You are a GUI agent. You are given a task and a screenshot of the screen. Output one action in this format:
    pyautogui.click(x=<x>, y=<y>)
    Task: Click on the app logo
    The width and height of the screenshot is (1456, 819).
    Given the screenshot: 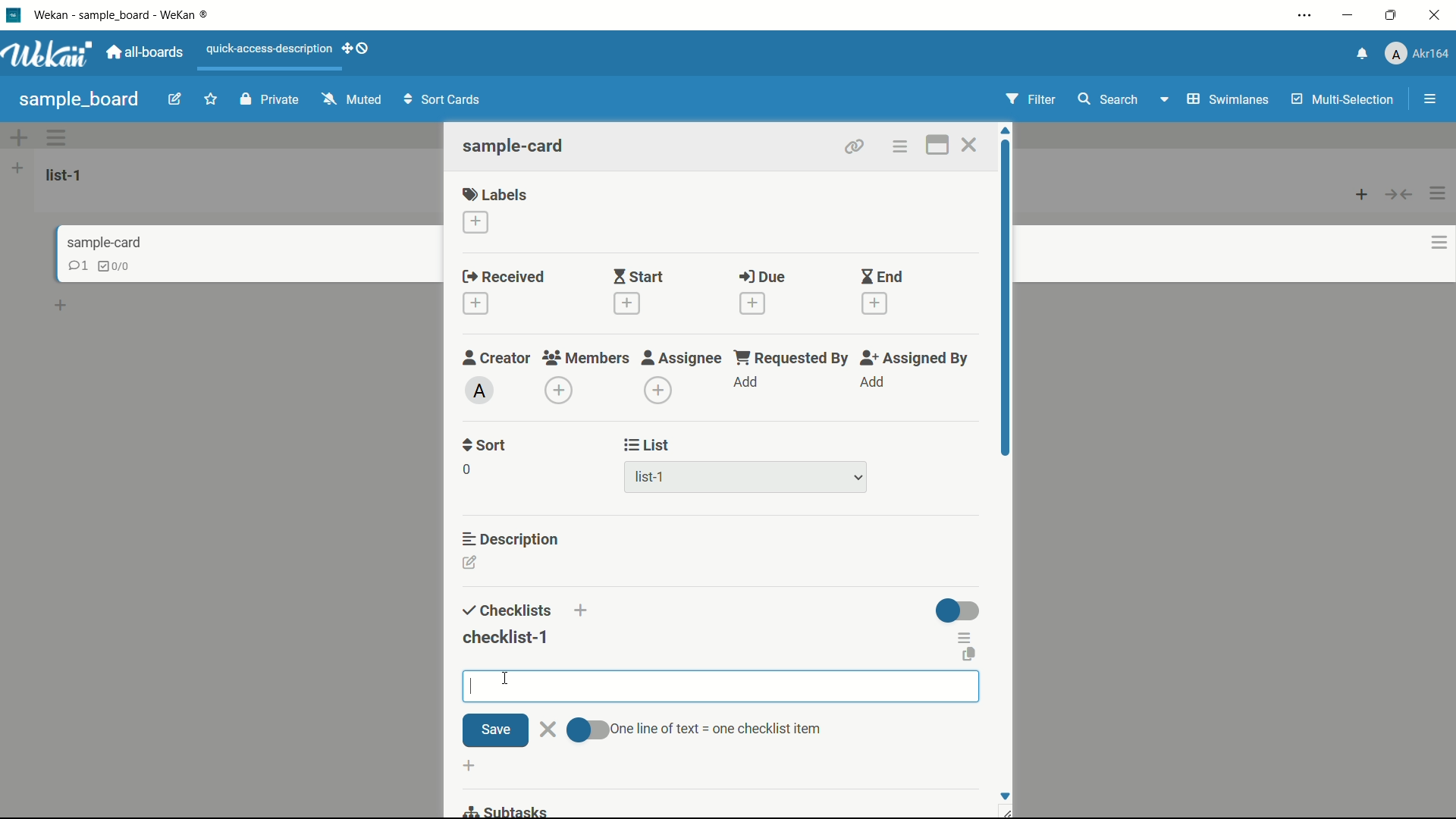 What is the action you would take?
    pyautogui.click(x=51, y=55)
    